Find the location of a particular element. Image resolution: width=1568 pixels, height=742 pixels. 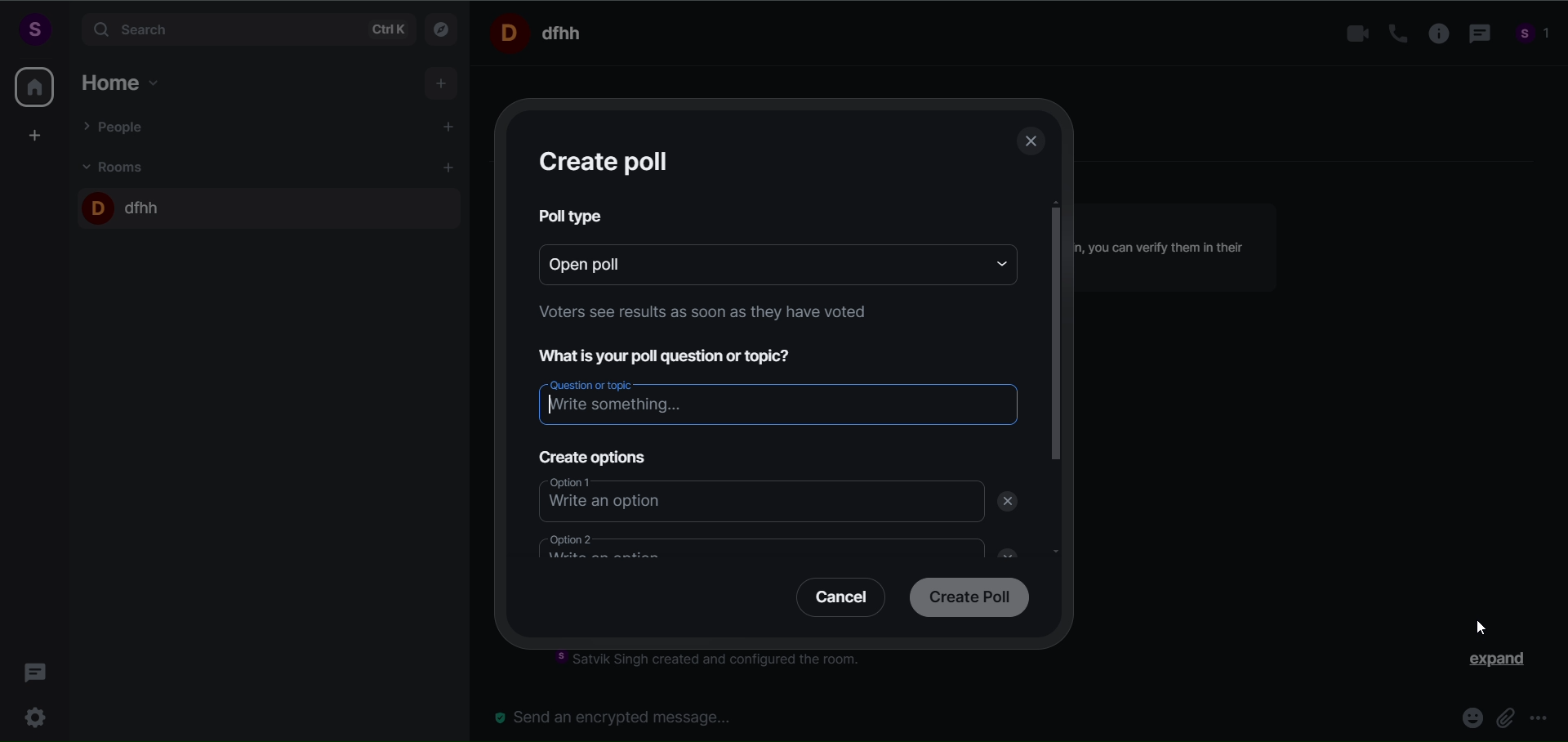

create space is located at coordinates (35, 135).